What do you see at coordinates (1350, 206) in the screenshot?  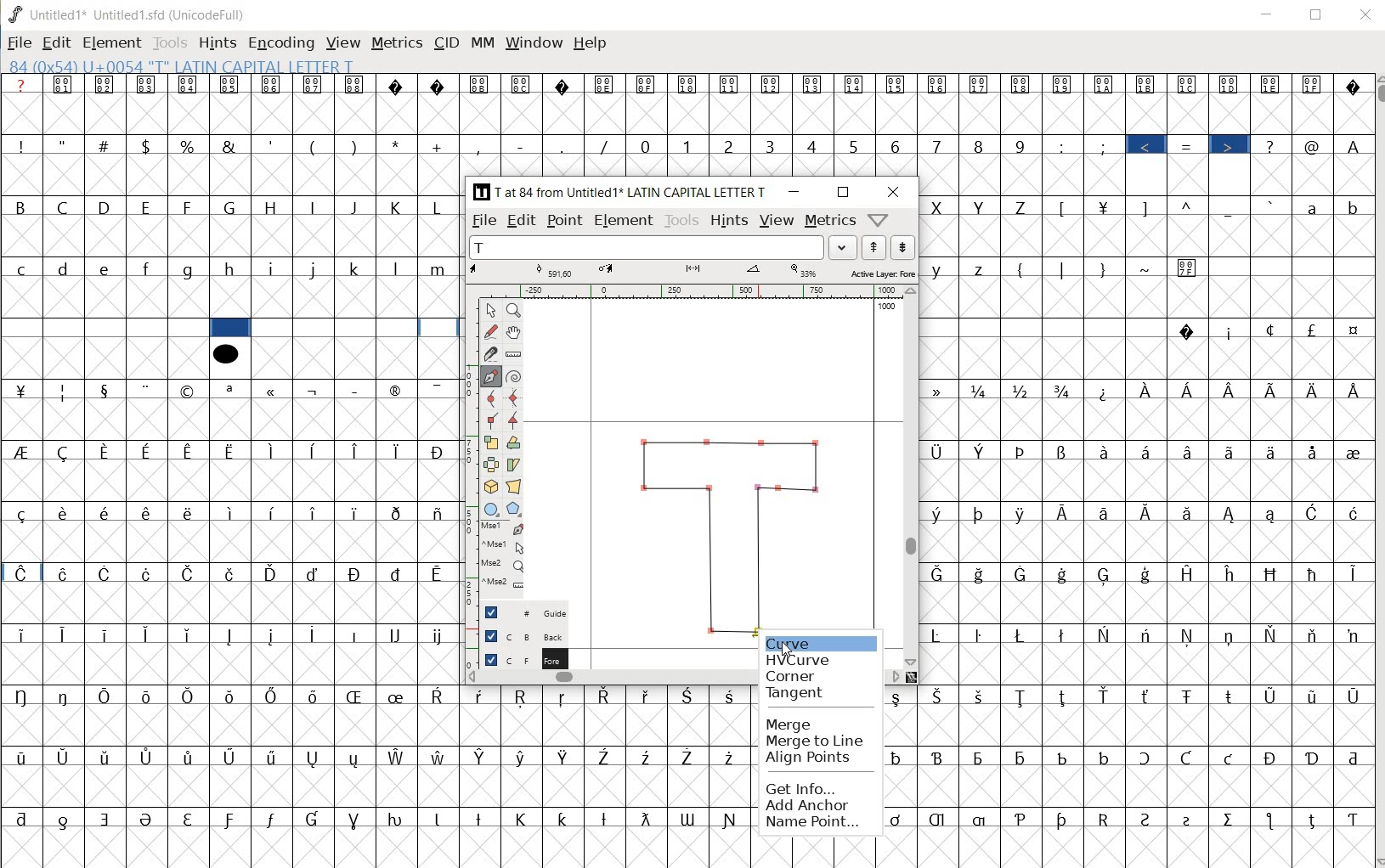 I see `b` at bounding box center [1350, 206].